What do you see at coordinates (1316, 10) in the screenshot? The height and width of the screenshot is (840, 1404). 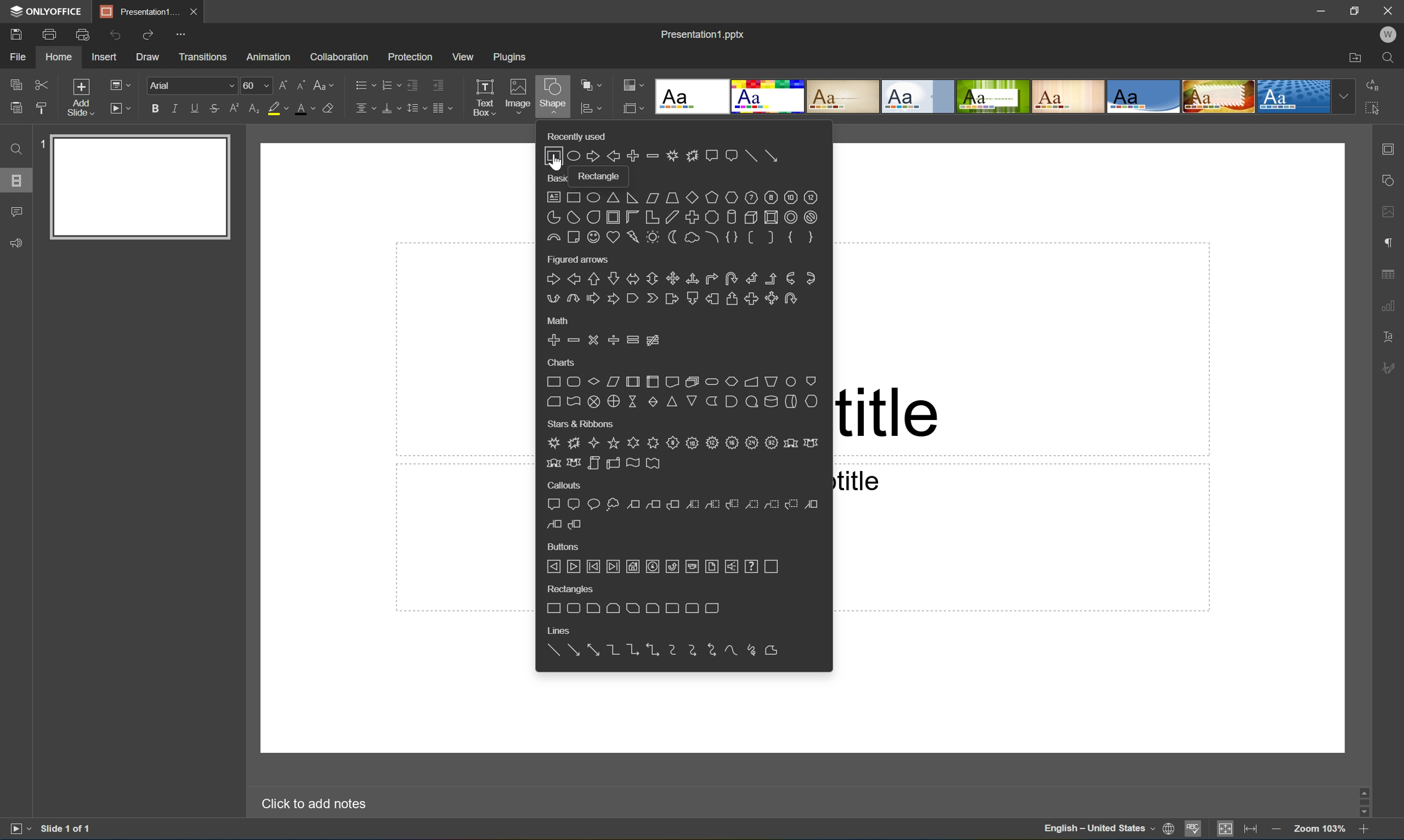 I see `Minimize` at bounding box center [1316, 10].